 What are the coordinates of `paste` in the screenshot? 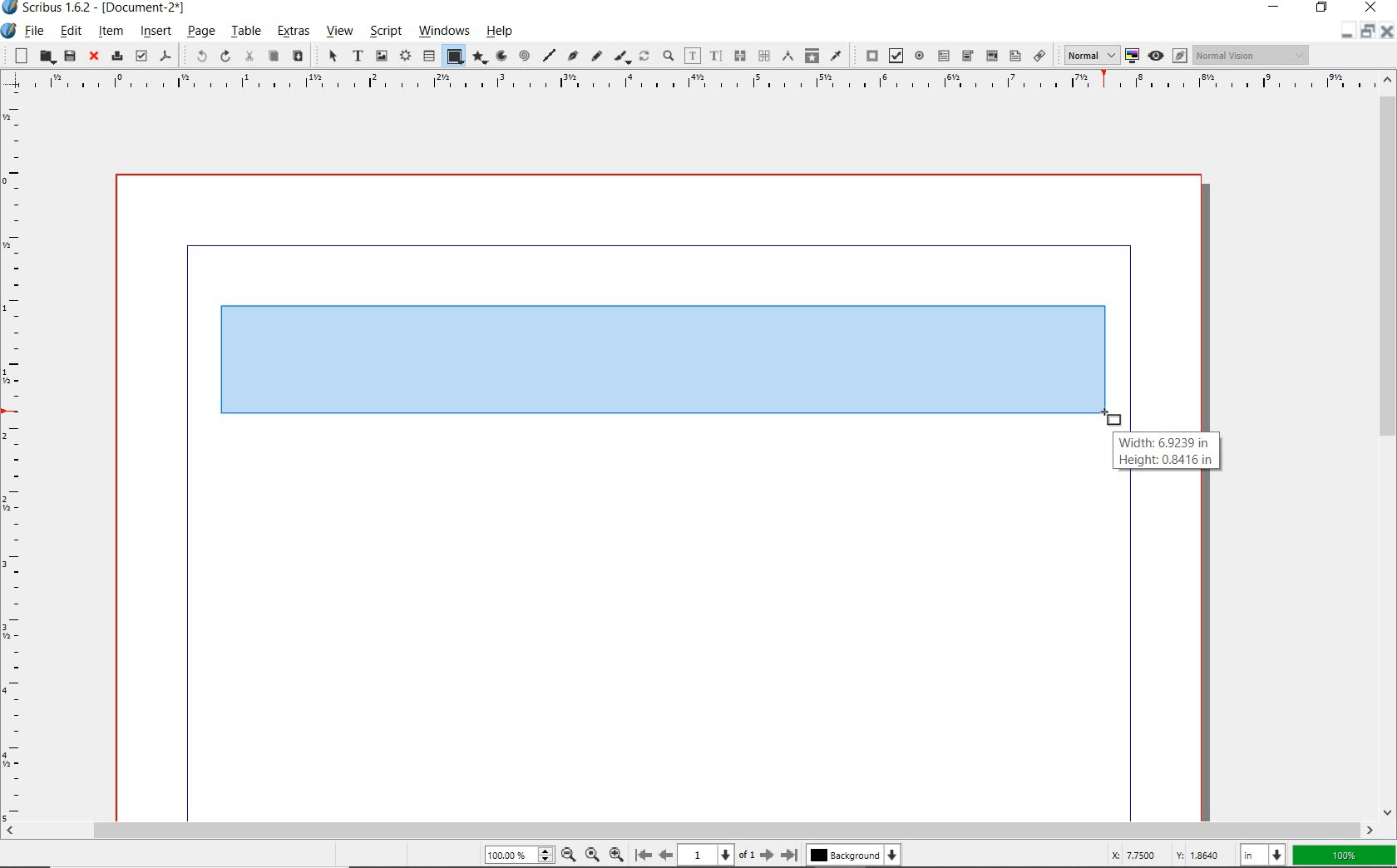 It's located at (298, 56).